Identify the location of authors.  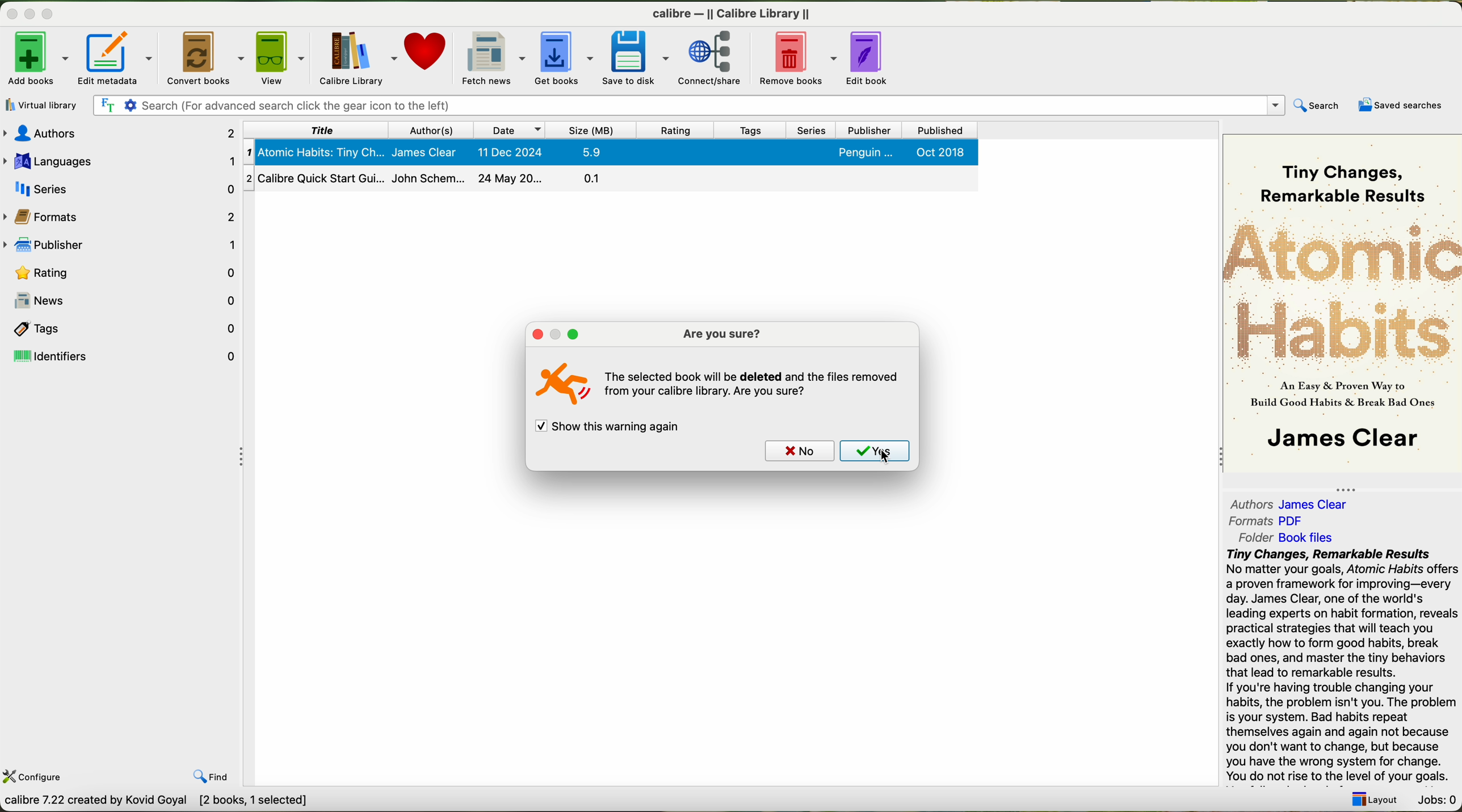
(1288, 503).